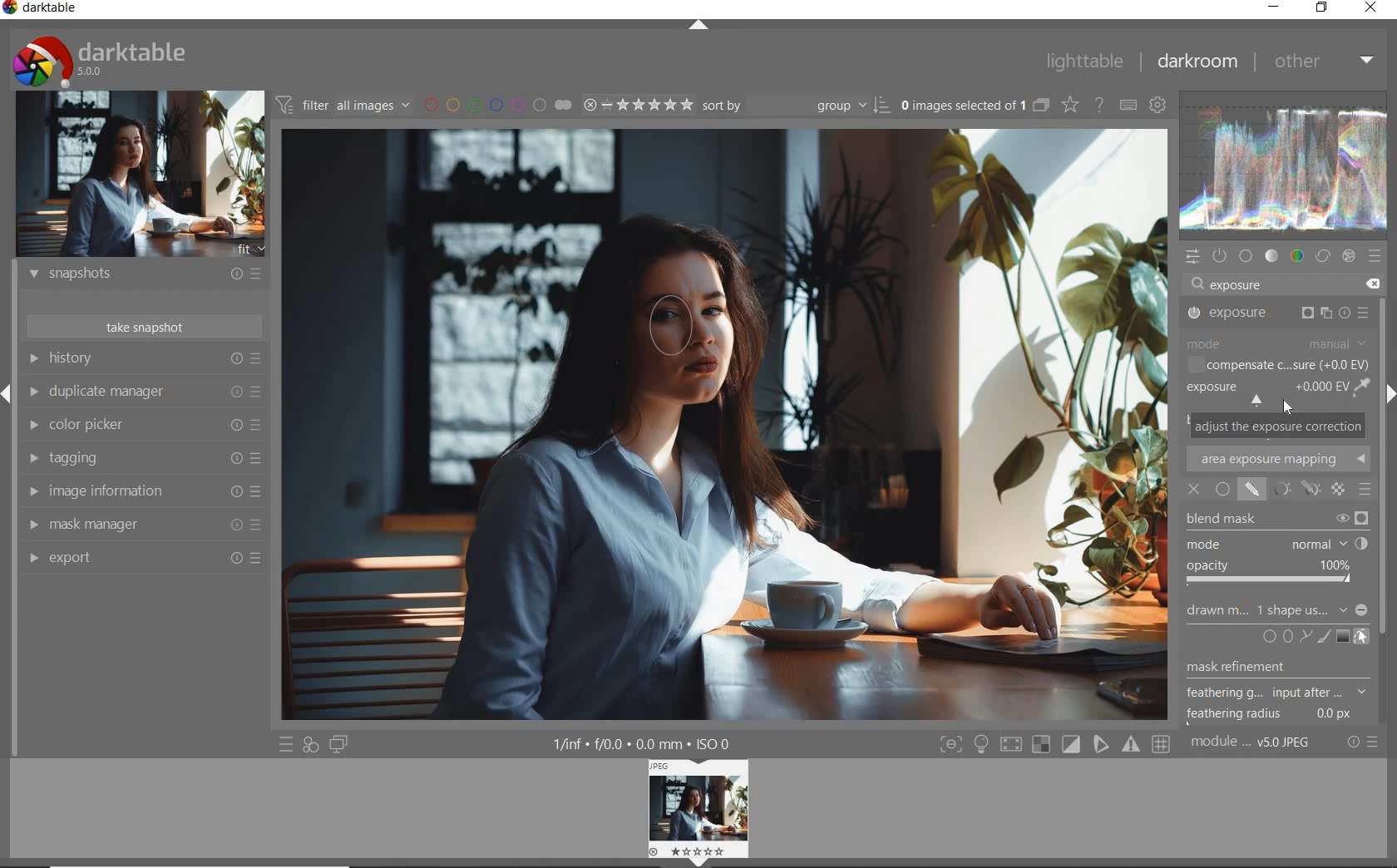 The height and width of the screenshot is (868, 1397). I want to click on image information, so click(146, 490).